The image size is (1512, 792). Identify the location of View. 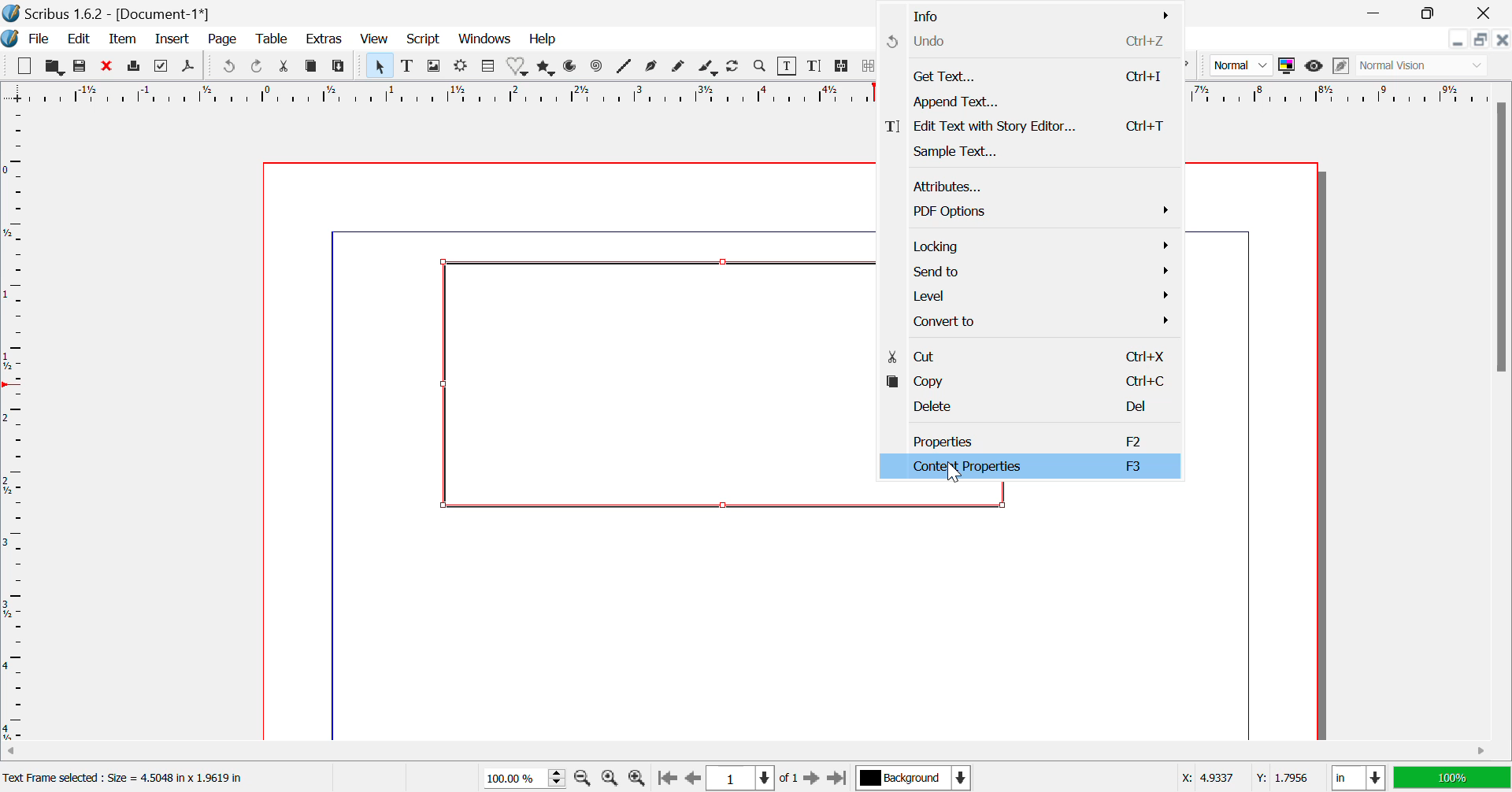
(375, 40).